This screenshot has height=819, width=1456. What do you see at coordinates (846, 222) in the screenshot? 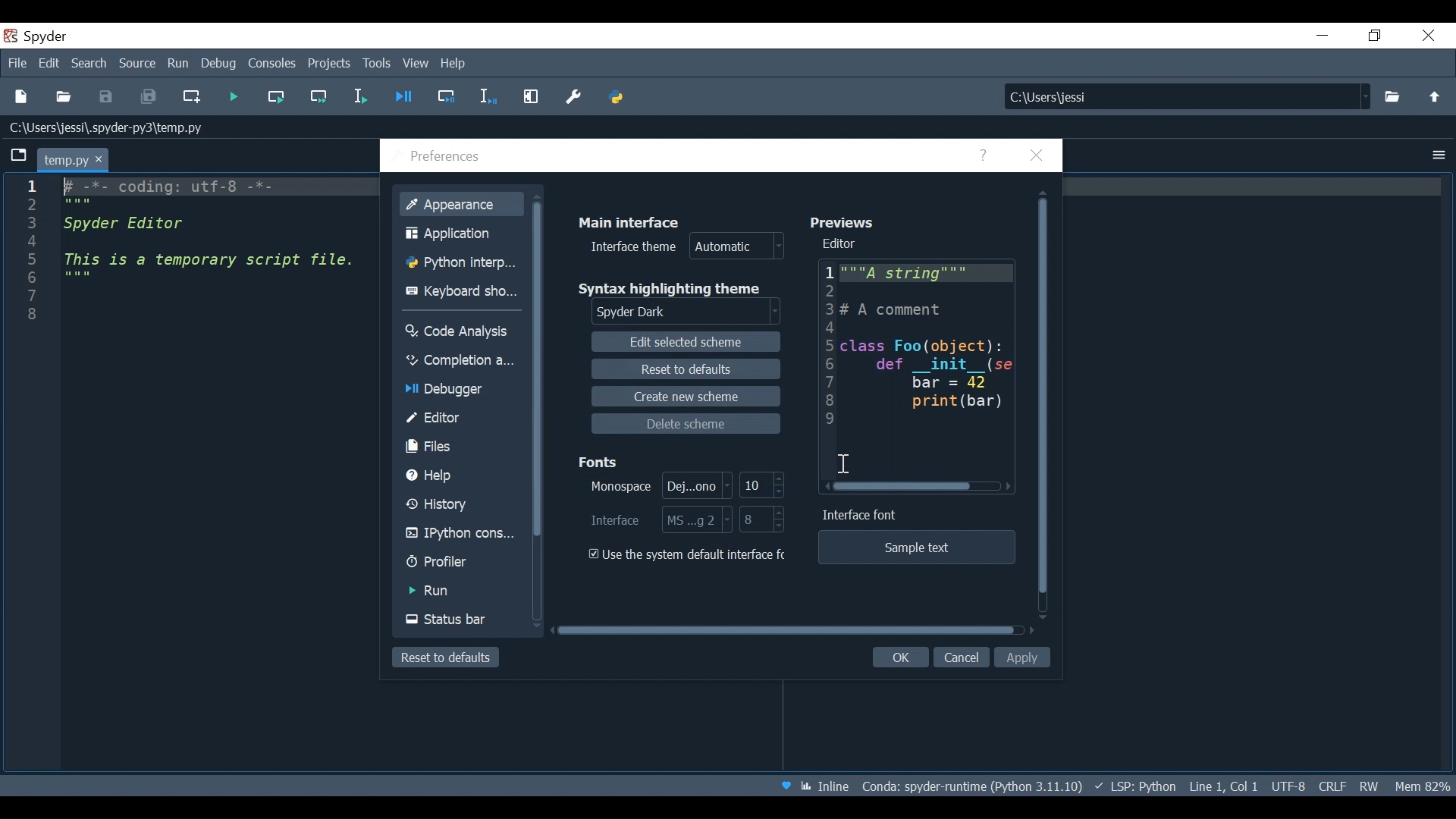
I see `Previews` at bounding box center [846, 222].